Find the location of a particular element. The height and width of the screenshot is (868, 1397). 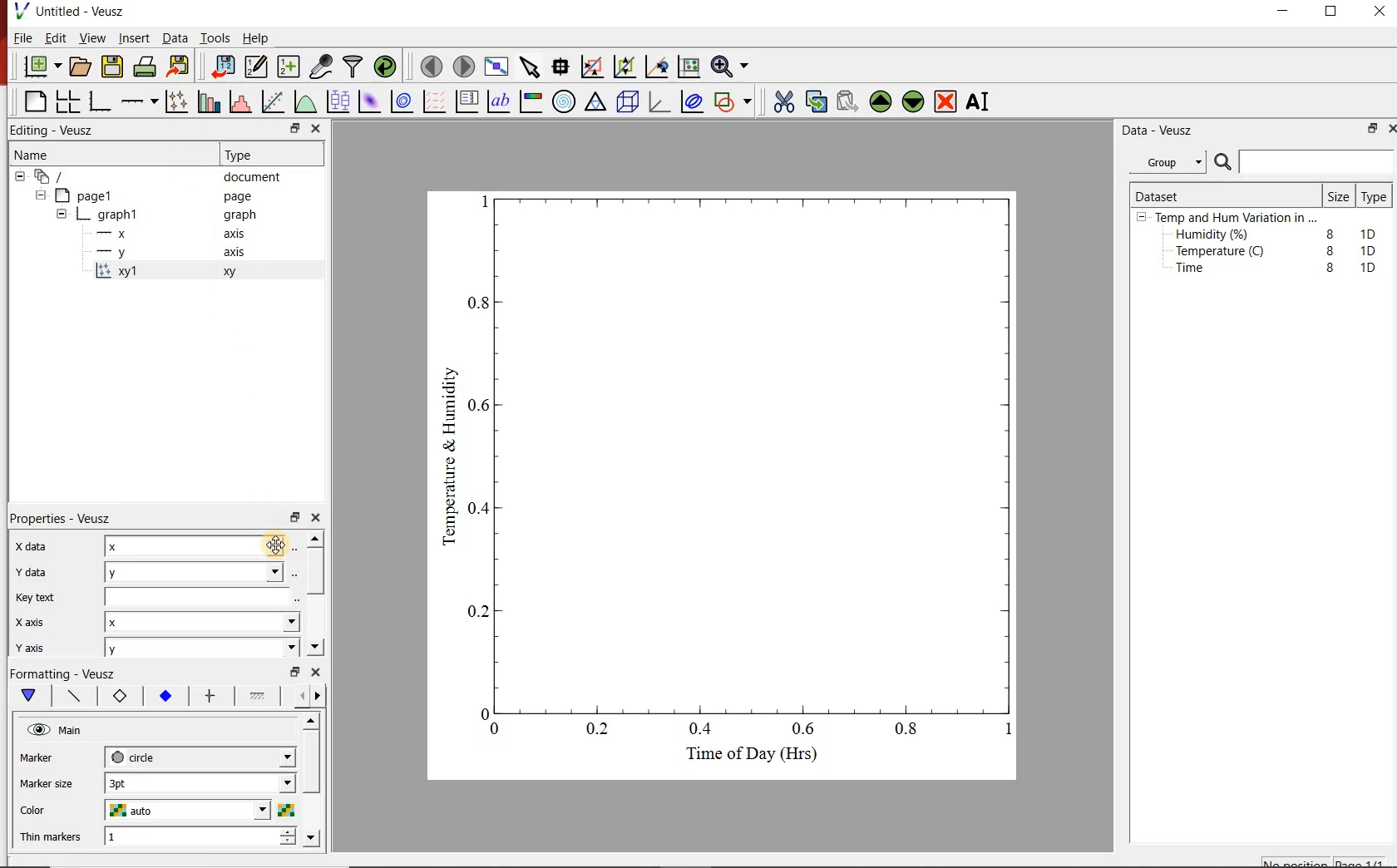

restore down is located at coordinates (284, 128).